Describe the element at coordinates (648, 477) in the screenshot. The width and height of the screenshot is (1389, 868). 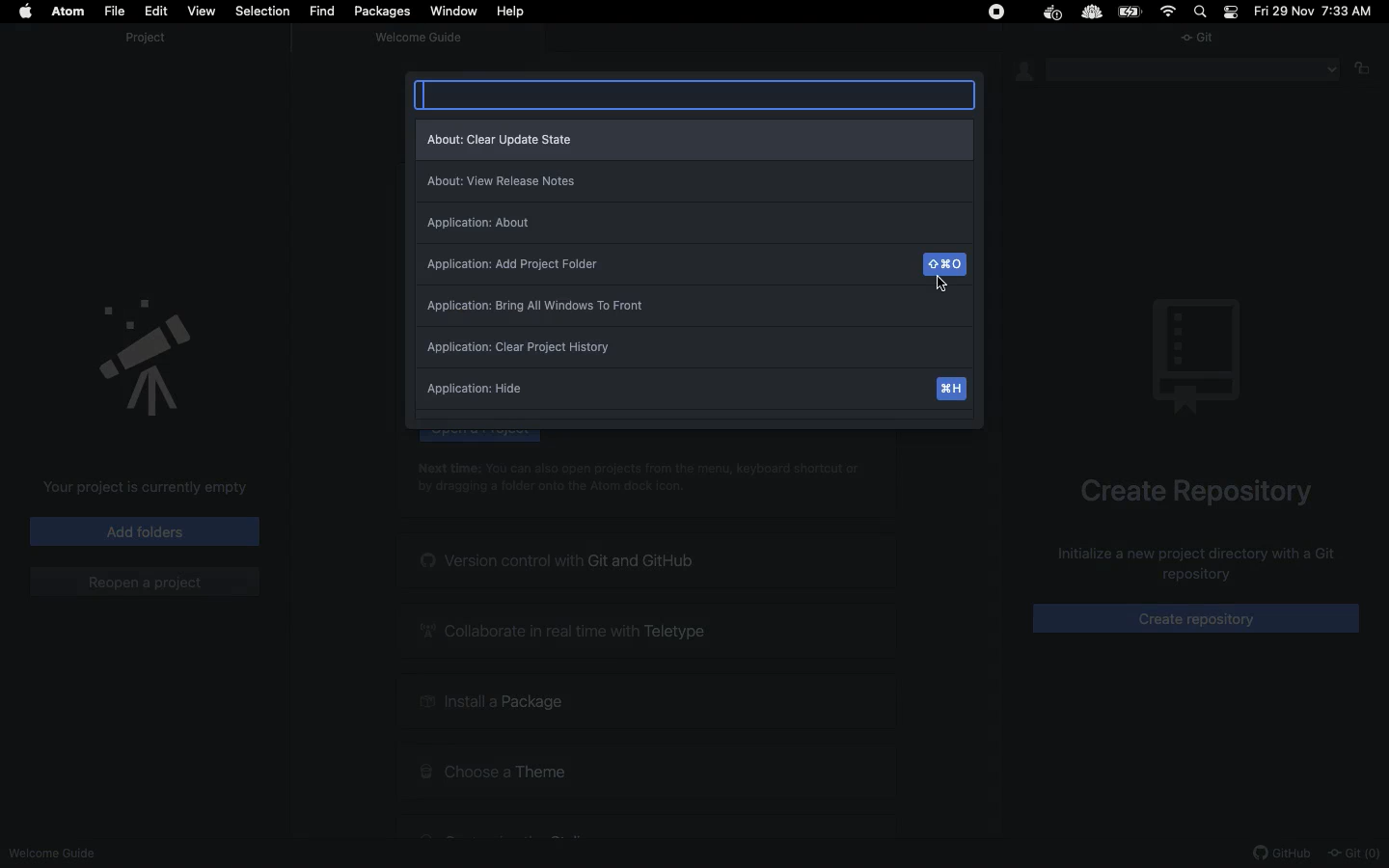
I see `Instructional text` at that location.